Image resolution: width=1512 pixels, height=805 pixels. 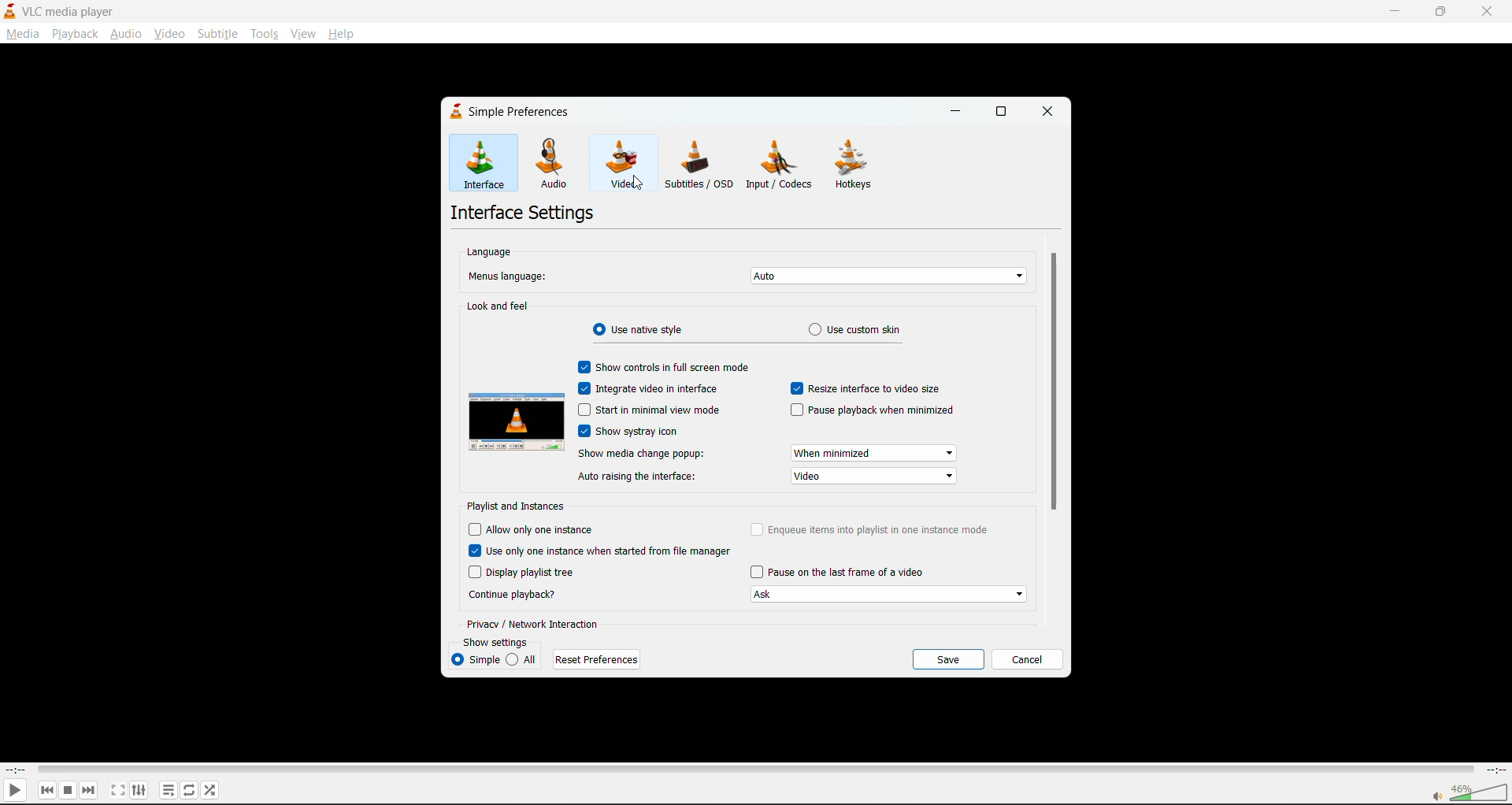 I want to click on display playlist tree, so click(x=523, y=573).